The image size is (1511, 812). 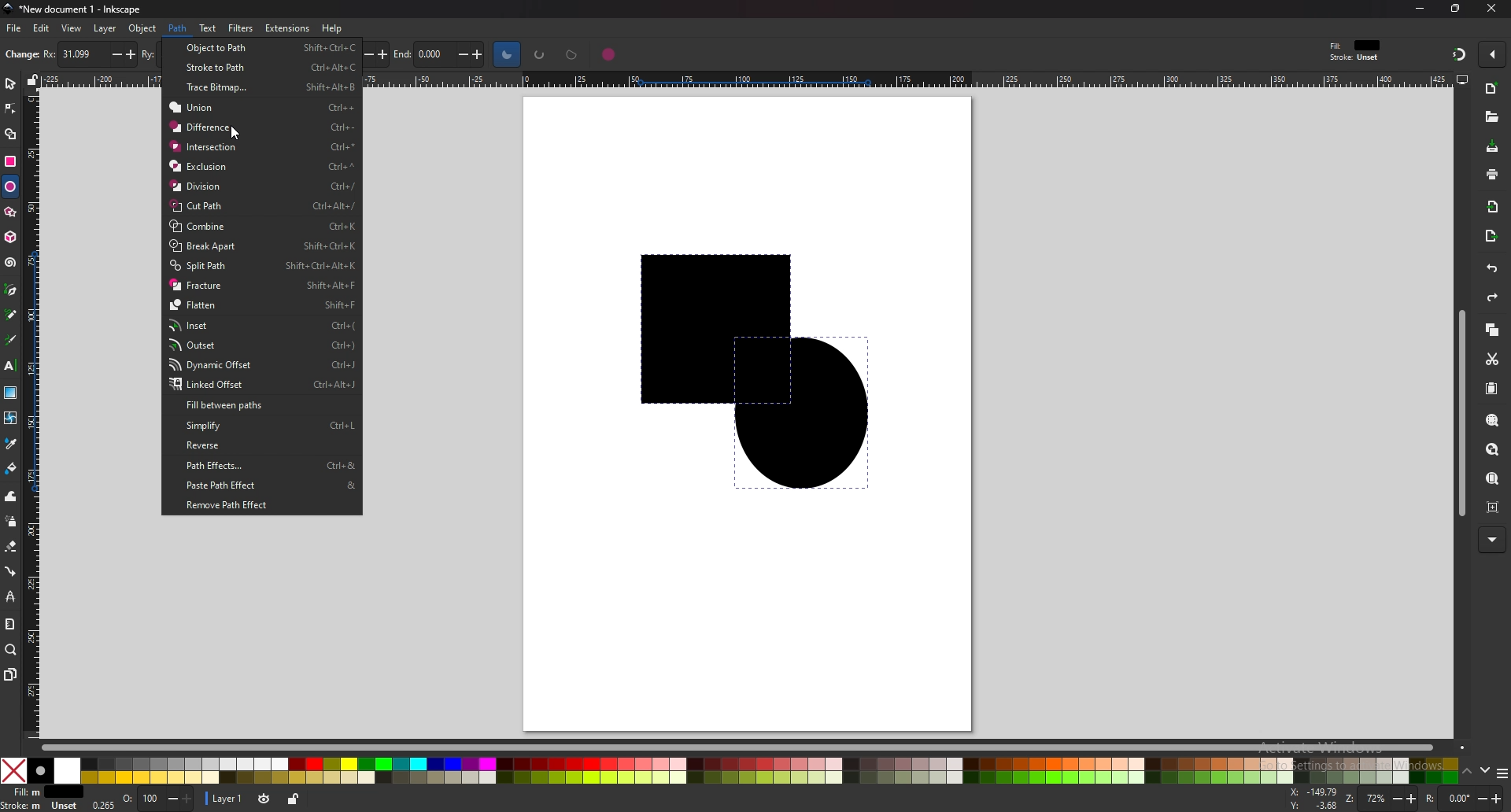 I want to click on scroll bar, so click(x=1459, y=412).